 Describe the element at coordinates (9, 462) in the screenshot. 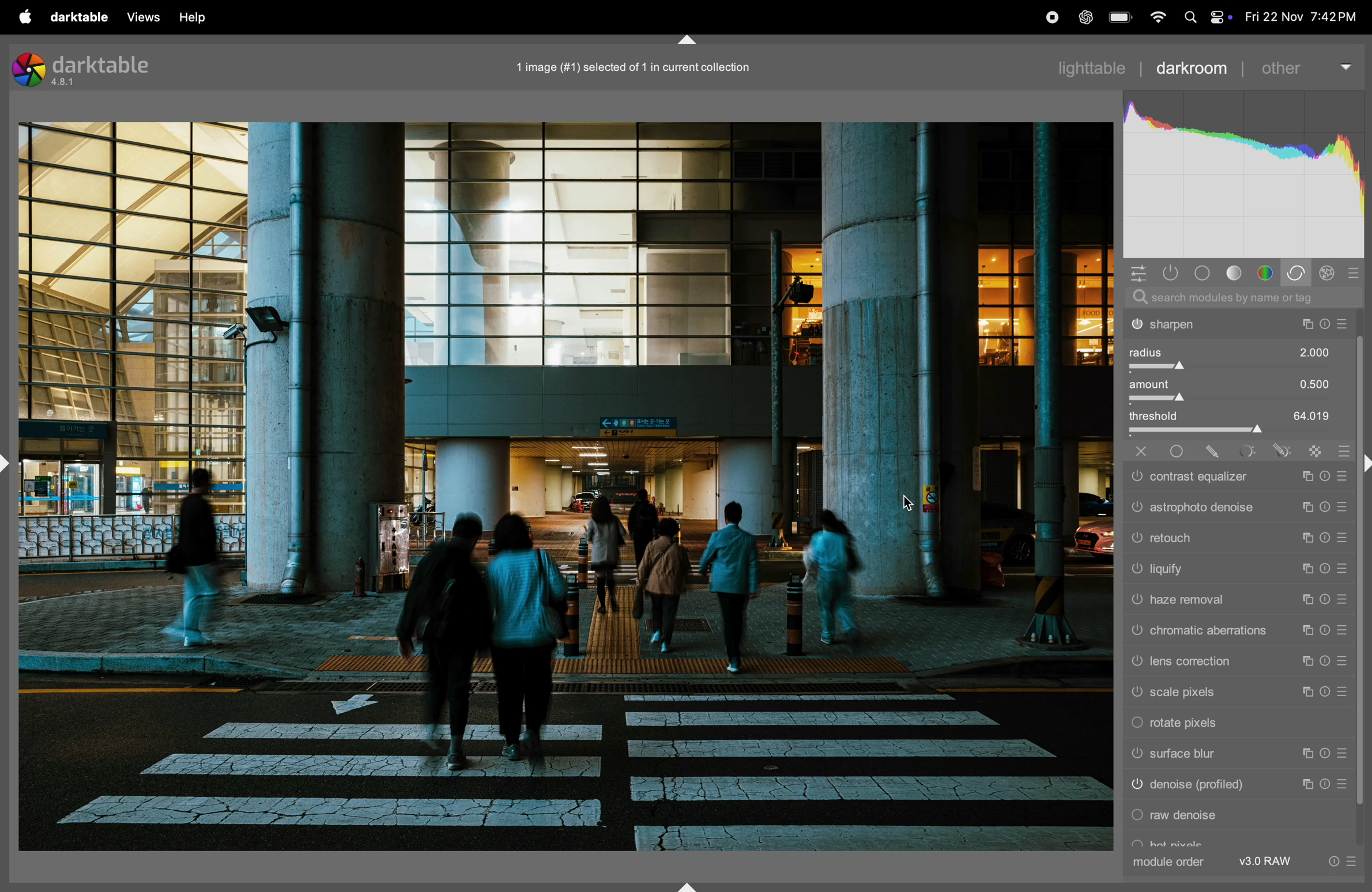

I see `shift+ctrl+l` at that location.